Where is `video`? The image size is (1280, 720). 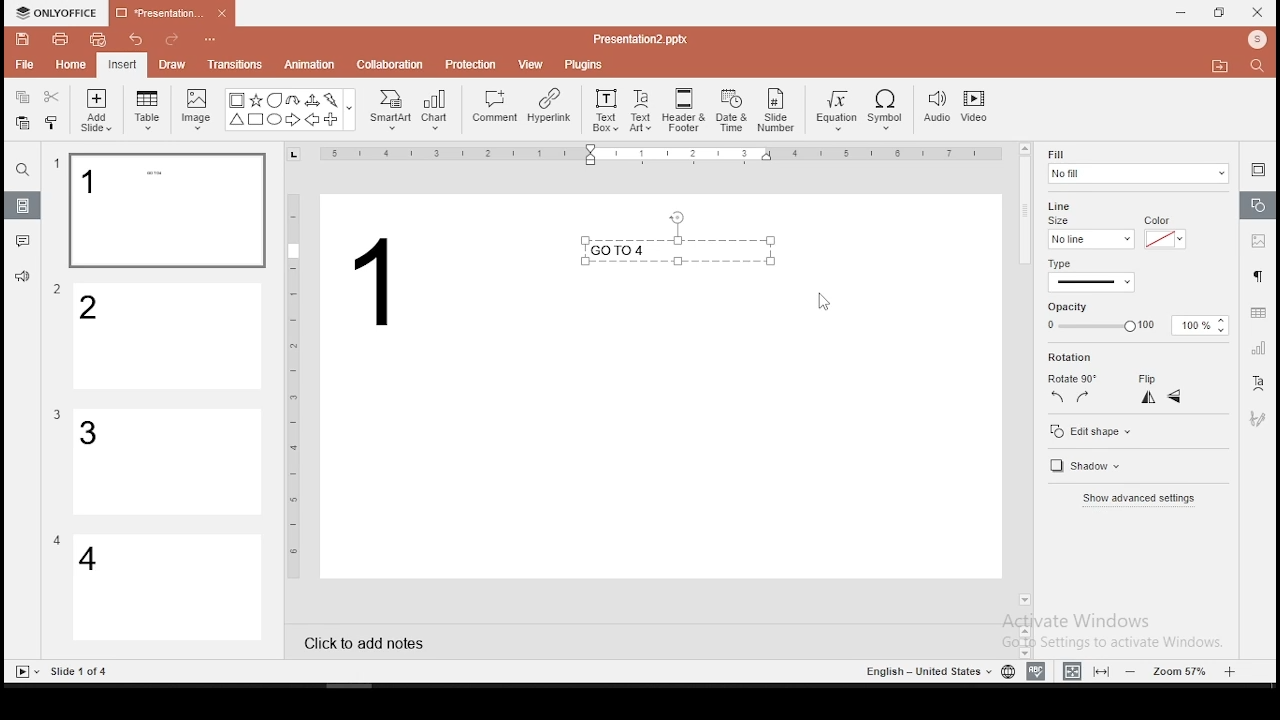
video is located at coordinates (974, 109).